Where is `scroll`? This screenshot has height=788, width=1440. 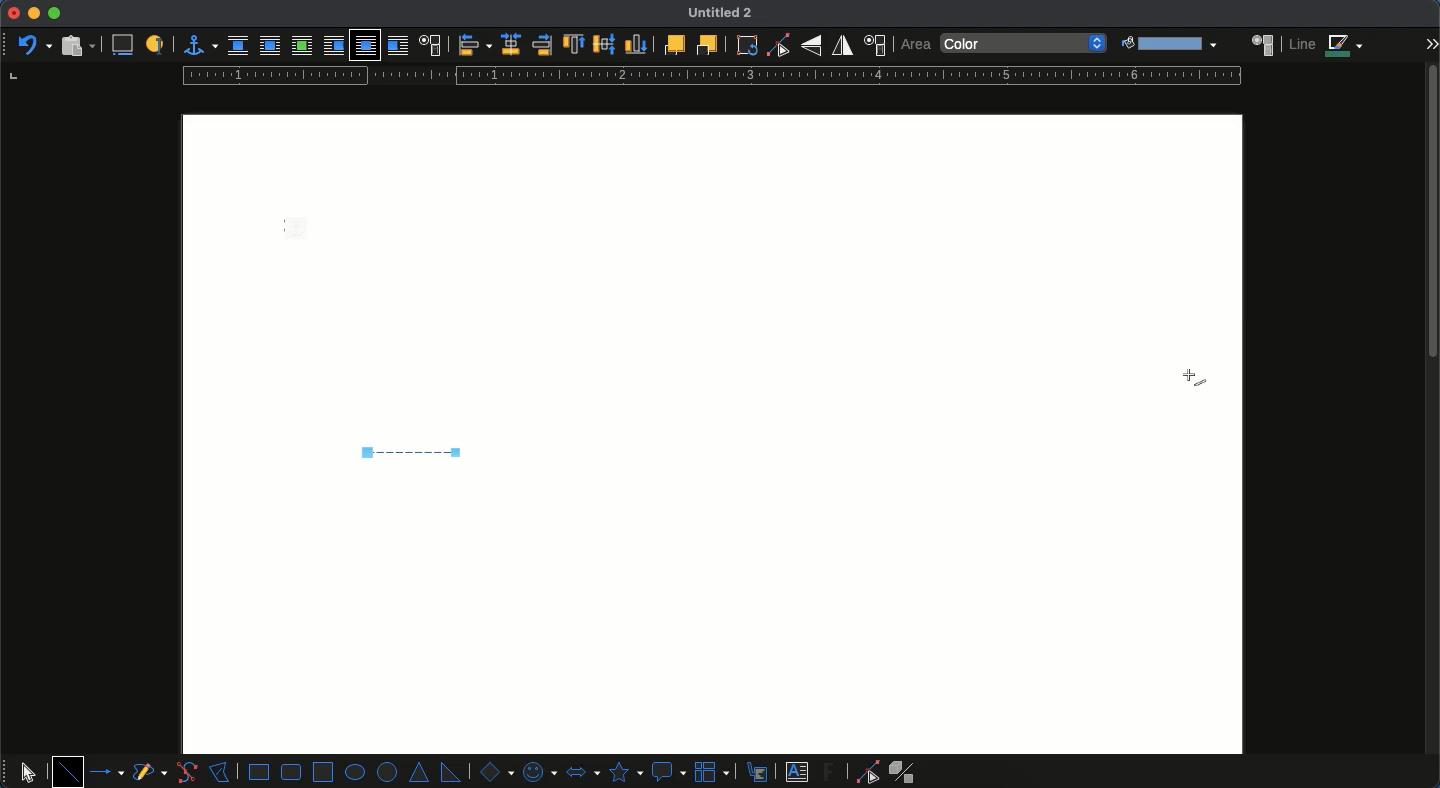
scroll is located at coordinates (1433, 434).